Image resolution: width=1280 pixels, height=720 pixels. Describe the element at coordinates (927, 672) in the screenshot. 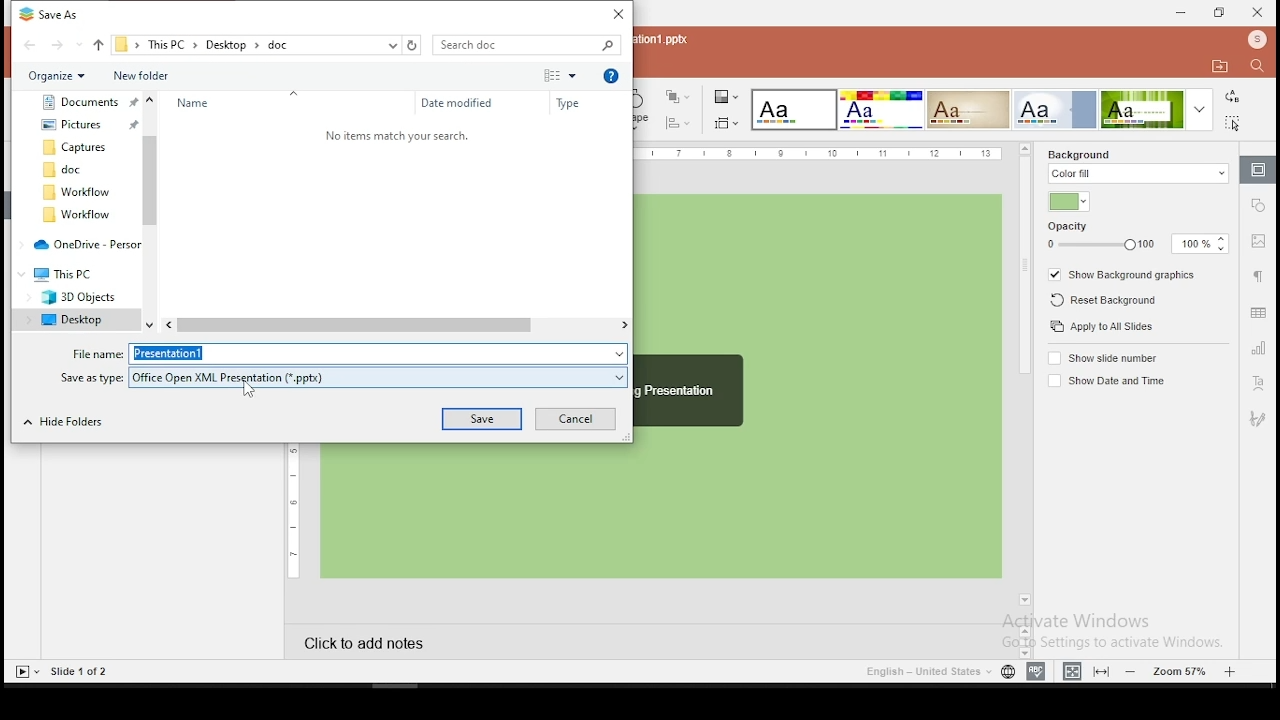

I see `language` at that location.